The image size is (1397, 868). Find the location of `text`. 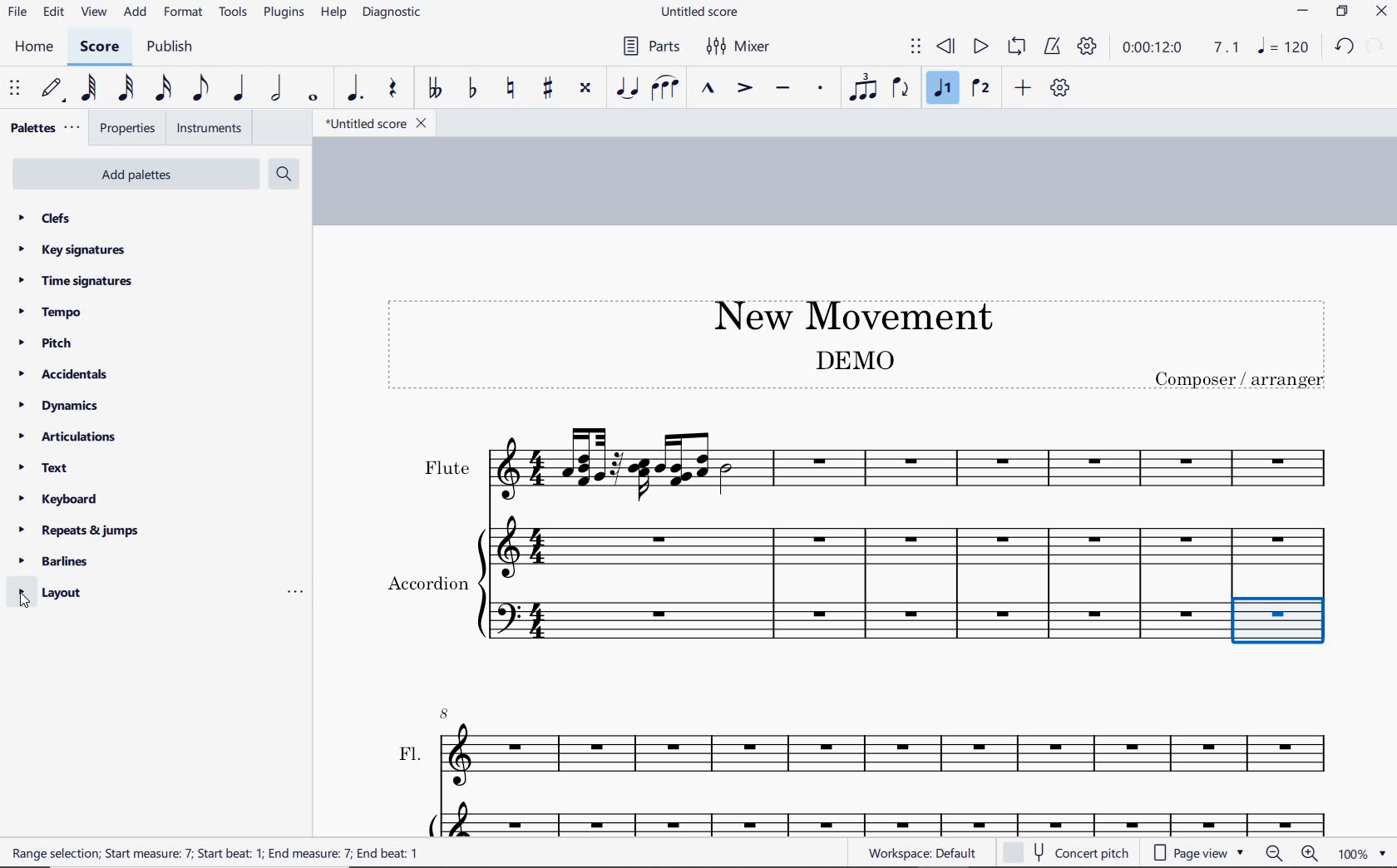

text is located at coordinates (217, 852).